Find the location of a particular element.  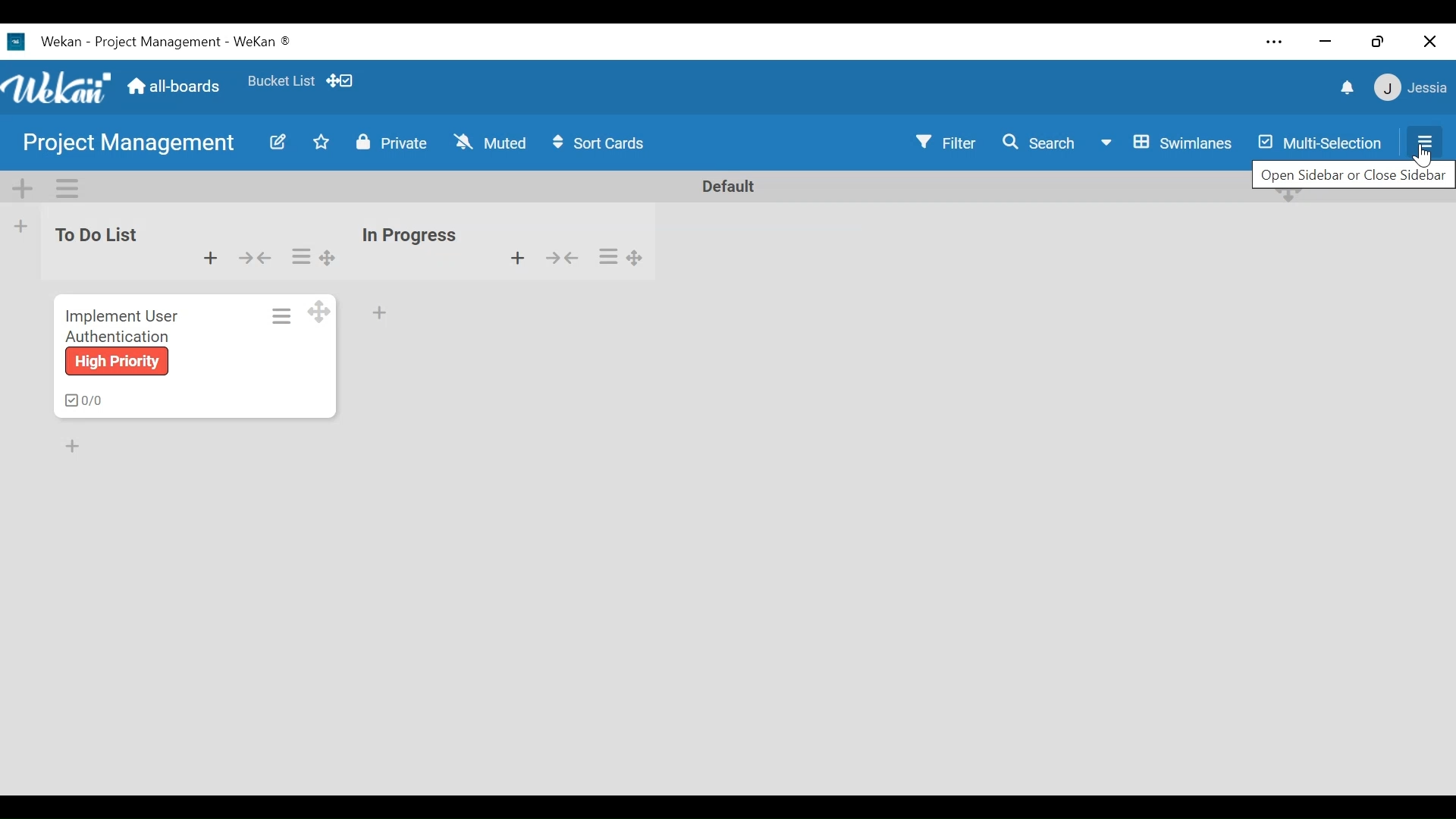

checklist is located at coordinates (80, 400).